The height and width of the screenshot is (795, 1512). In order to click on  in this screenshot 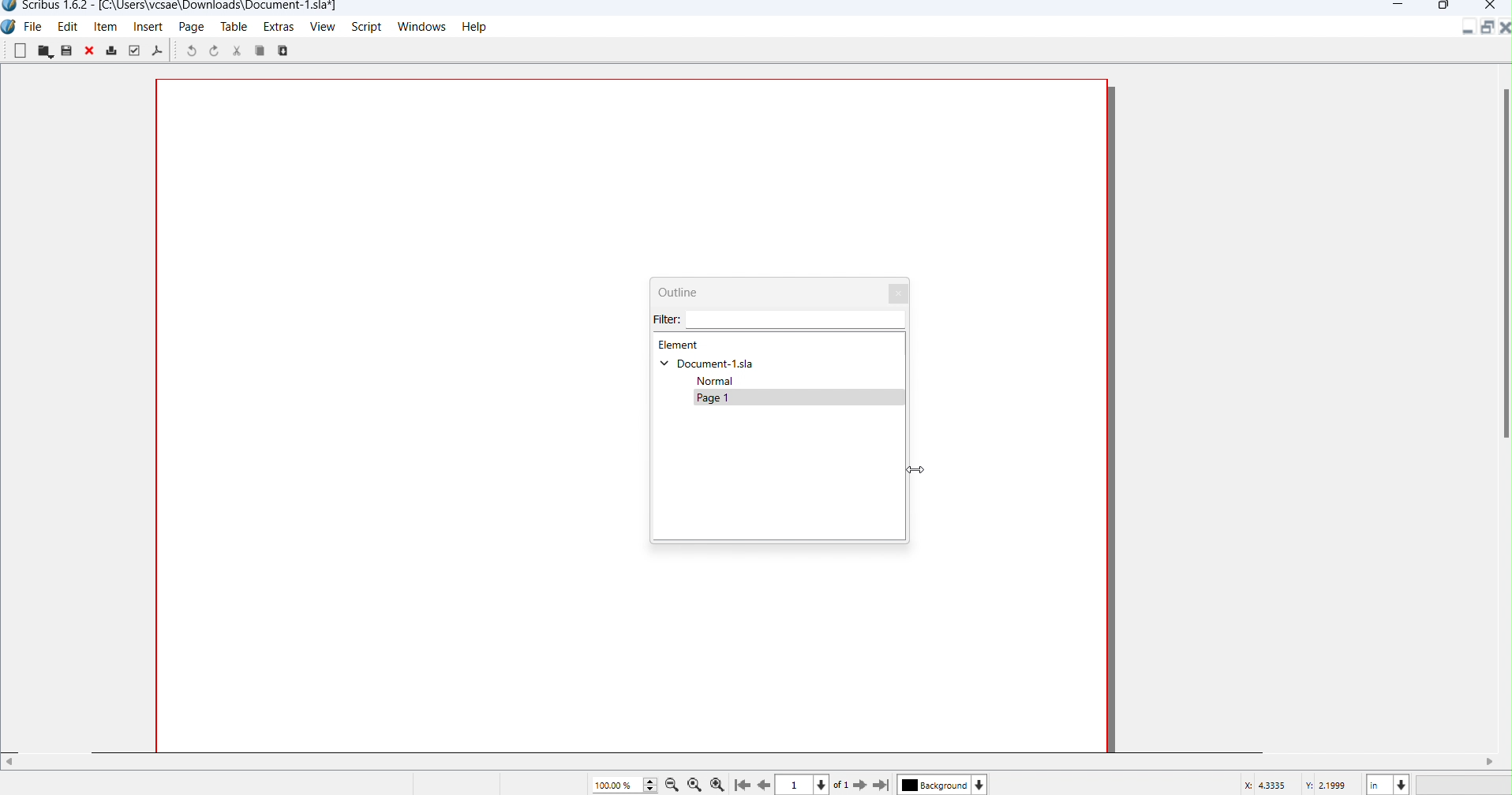, I will do `click(201, 51)`.